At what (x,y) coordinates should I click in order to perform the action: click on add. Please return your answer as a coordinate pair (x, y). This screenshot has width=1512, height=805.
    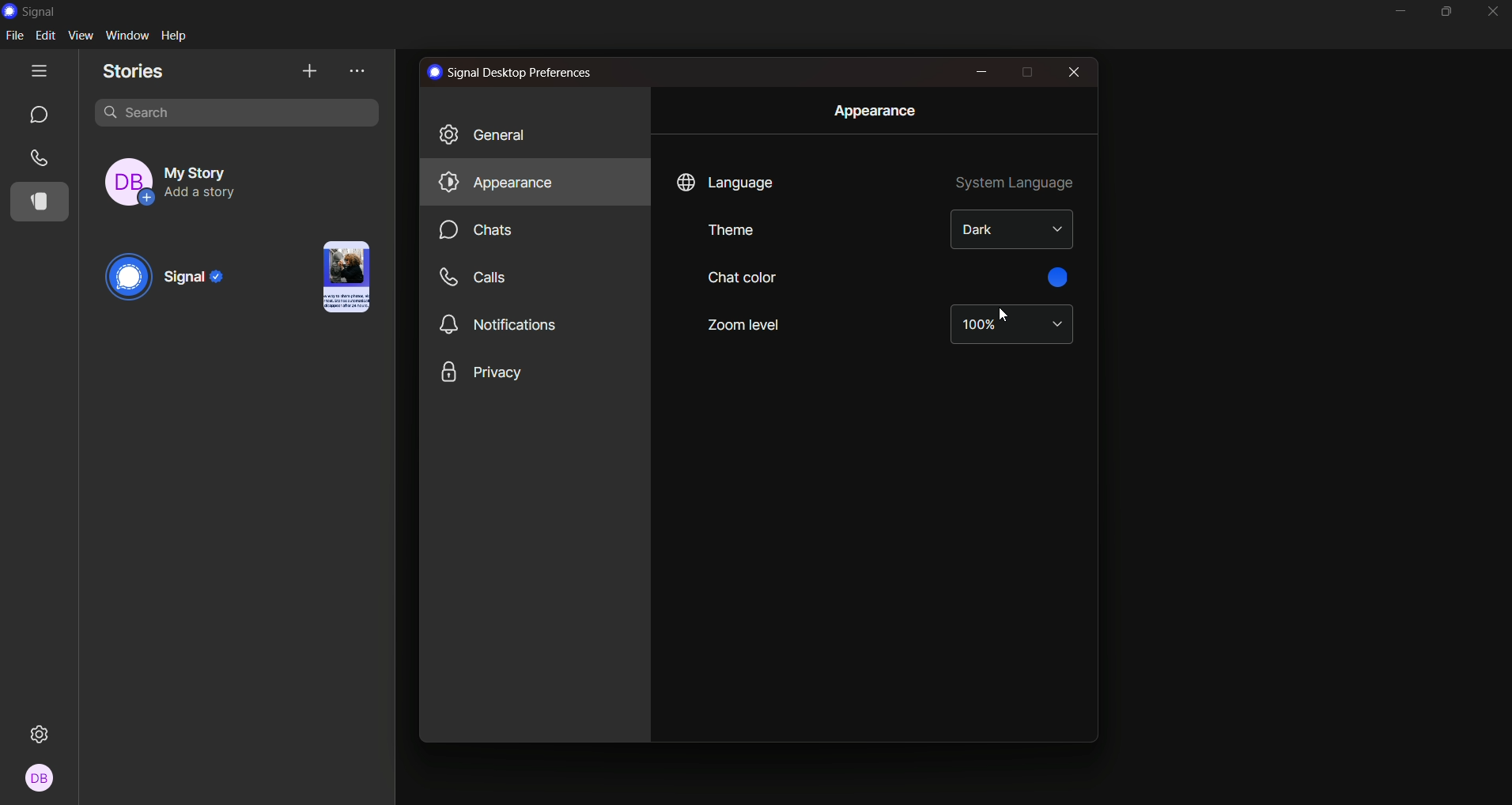
    Looking at the image, I should click on (308, 70).